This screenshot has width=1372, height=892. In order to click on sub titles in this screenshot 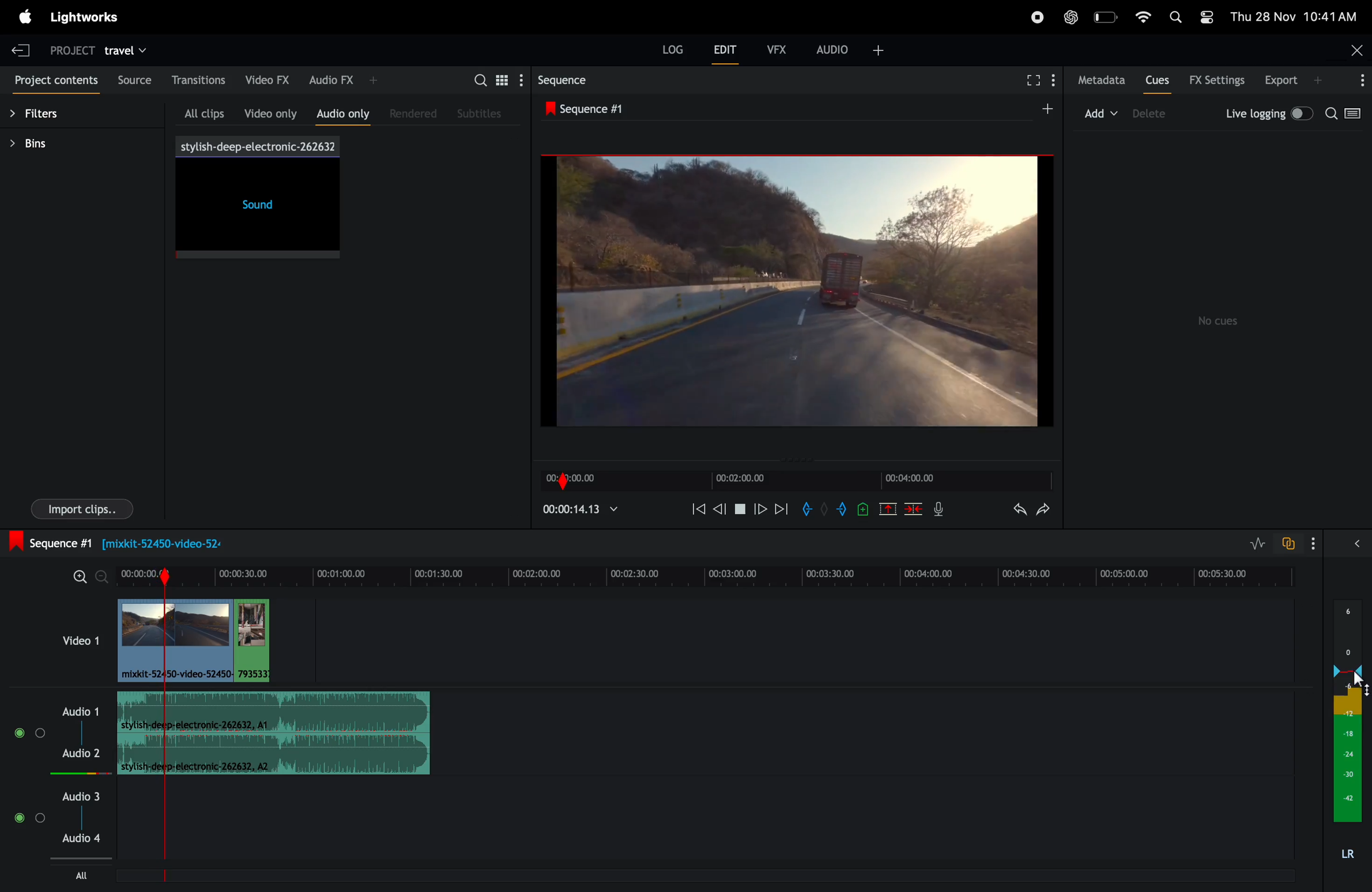, I will do `click(485, 112)`.